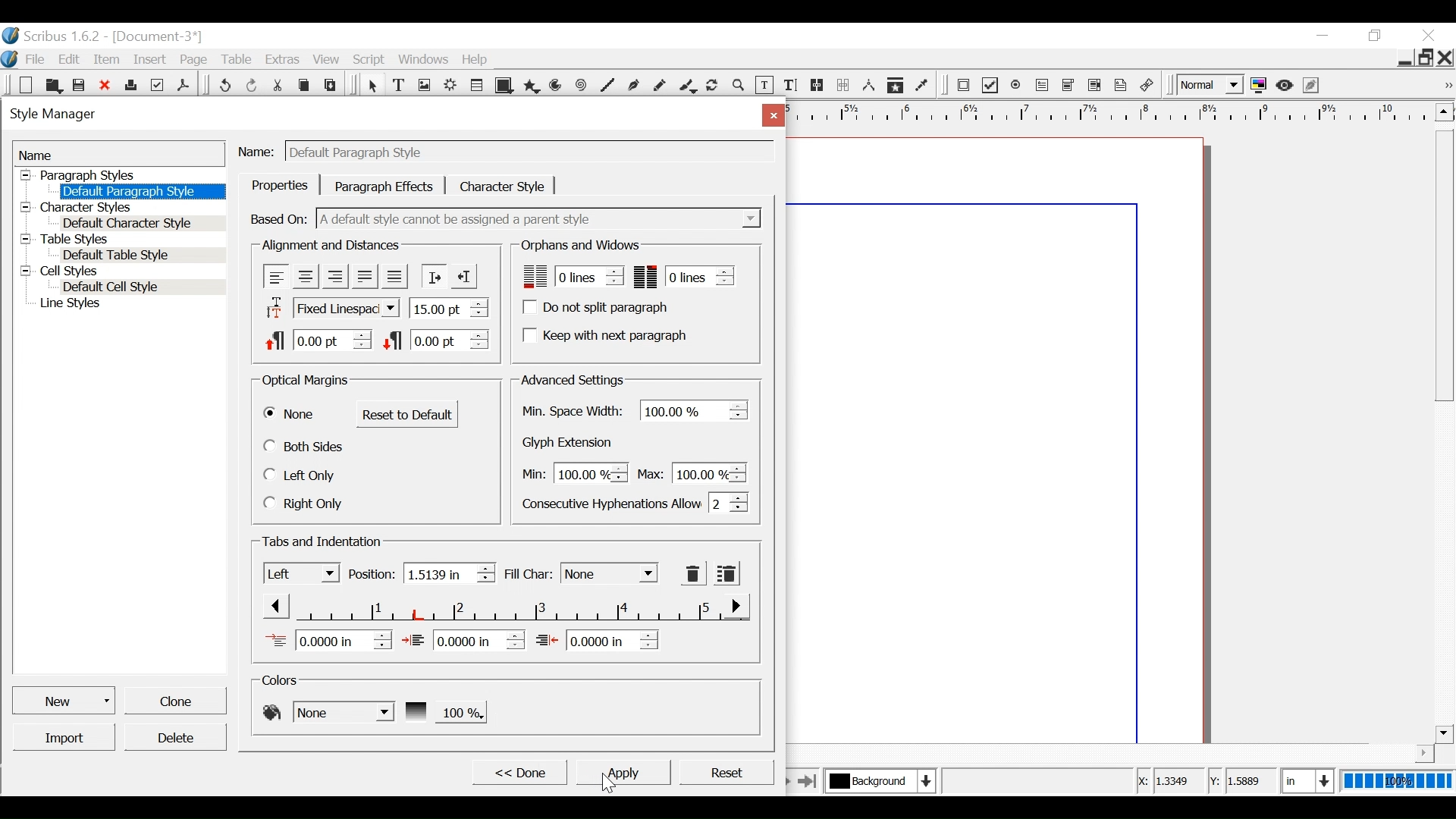  I want to click on Align Right, so click(334, 276).